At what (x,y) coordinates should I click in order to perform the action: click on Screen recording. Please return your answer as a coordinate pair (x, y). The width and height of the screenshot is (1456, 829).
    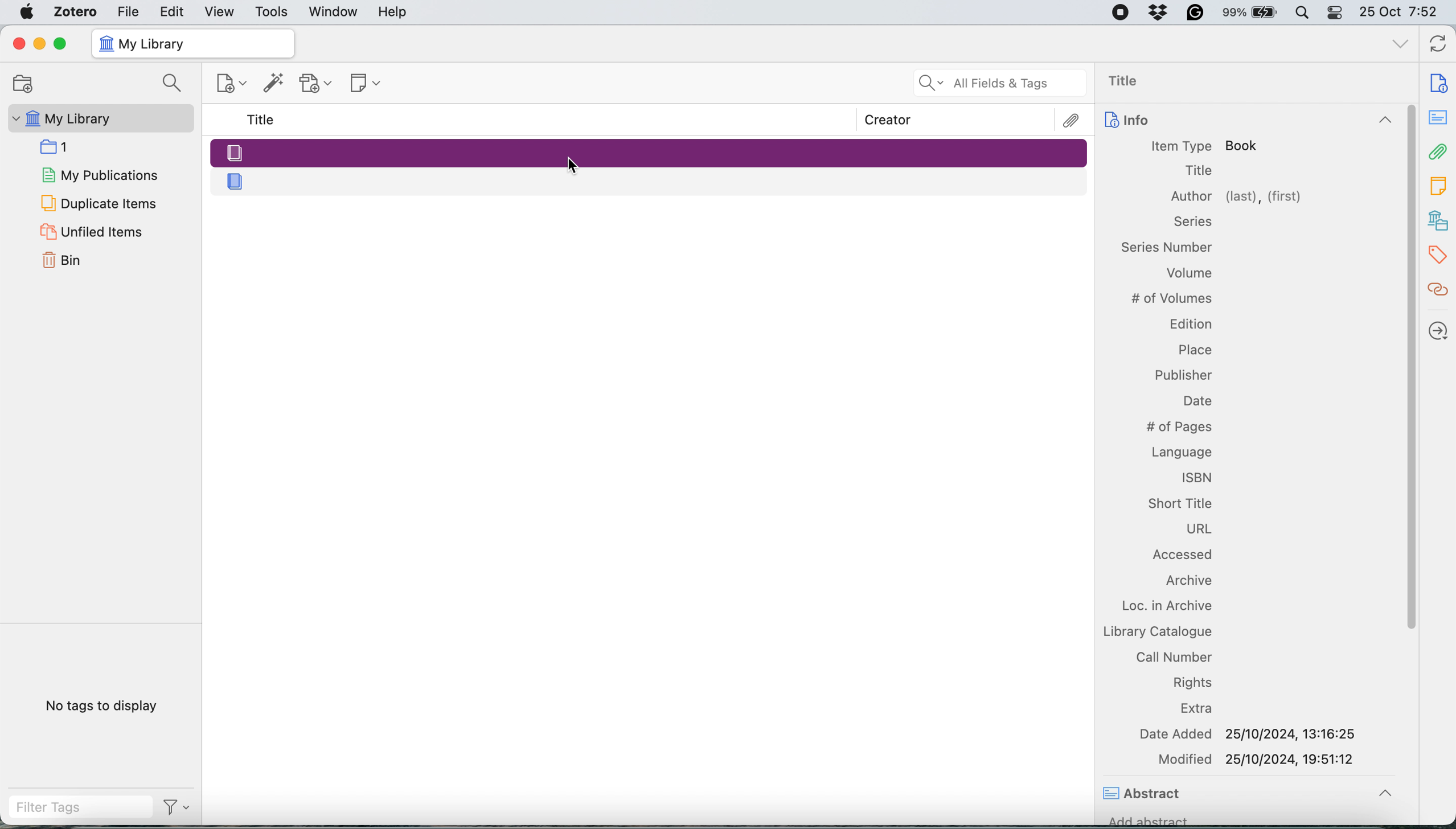
    Looking at the image, I should click on (1119, 13).